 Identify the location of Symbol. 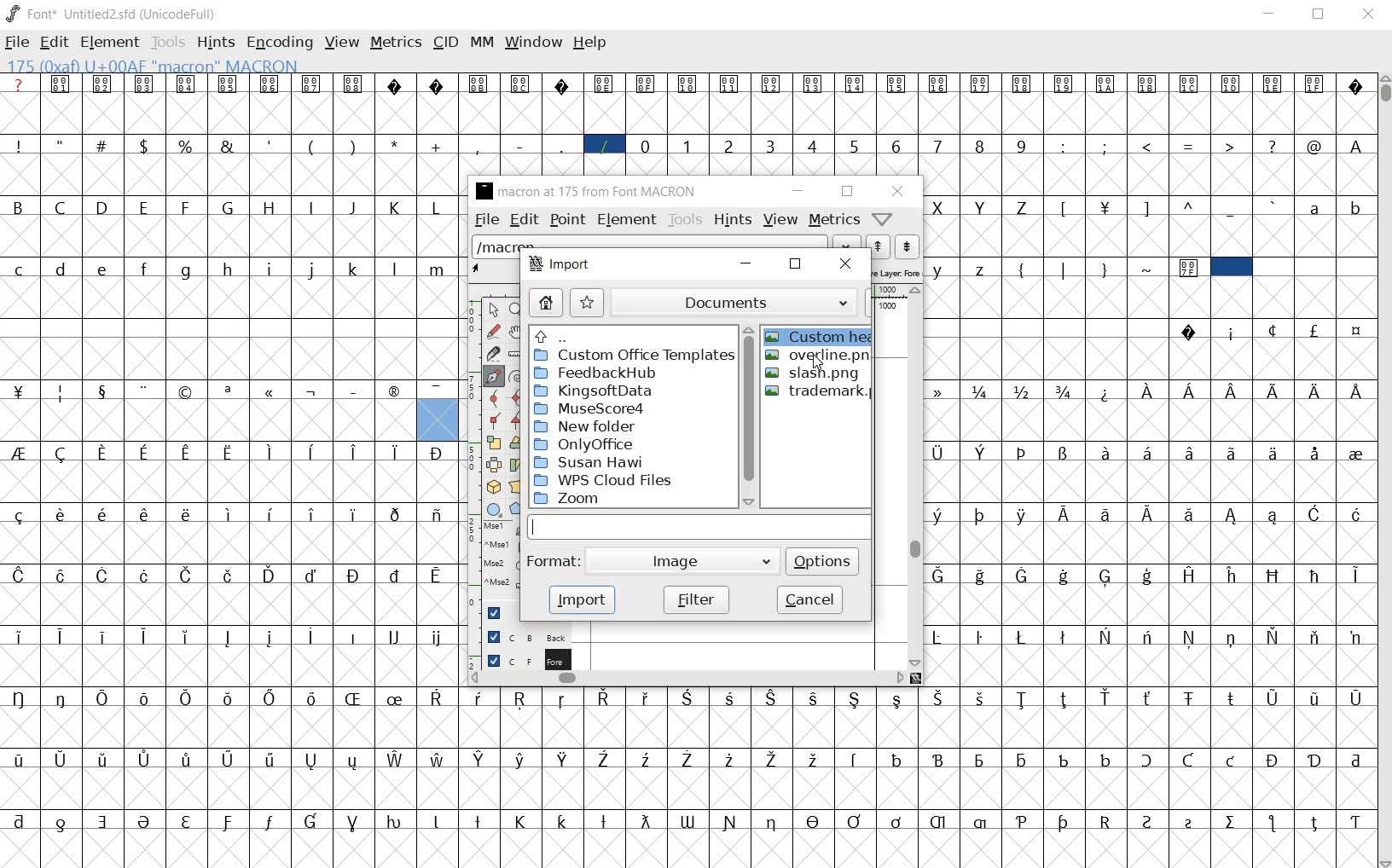
(981, 453).